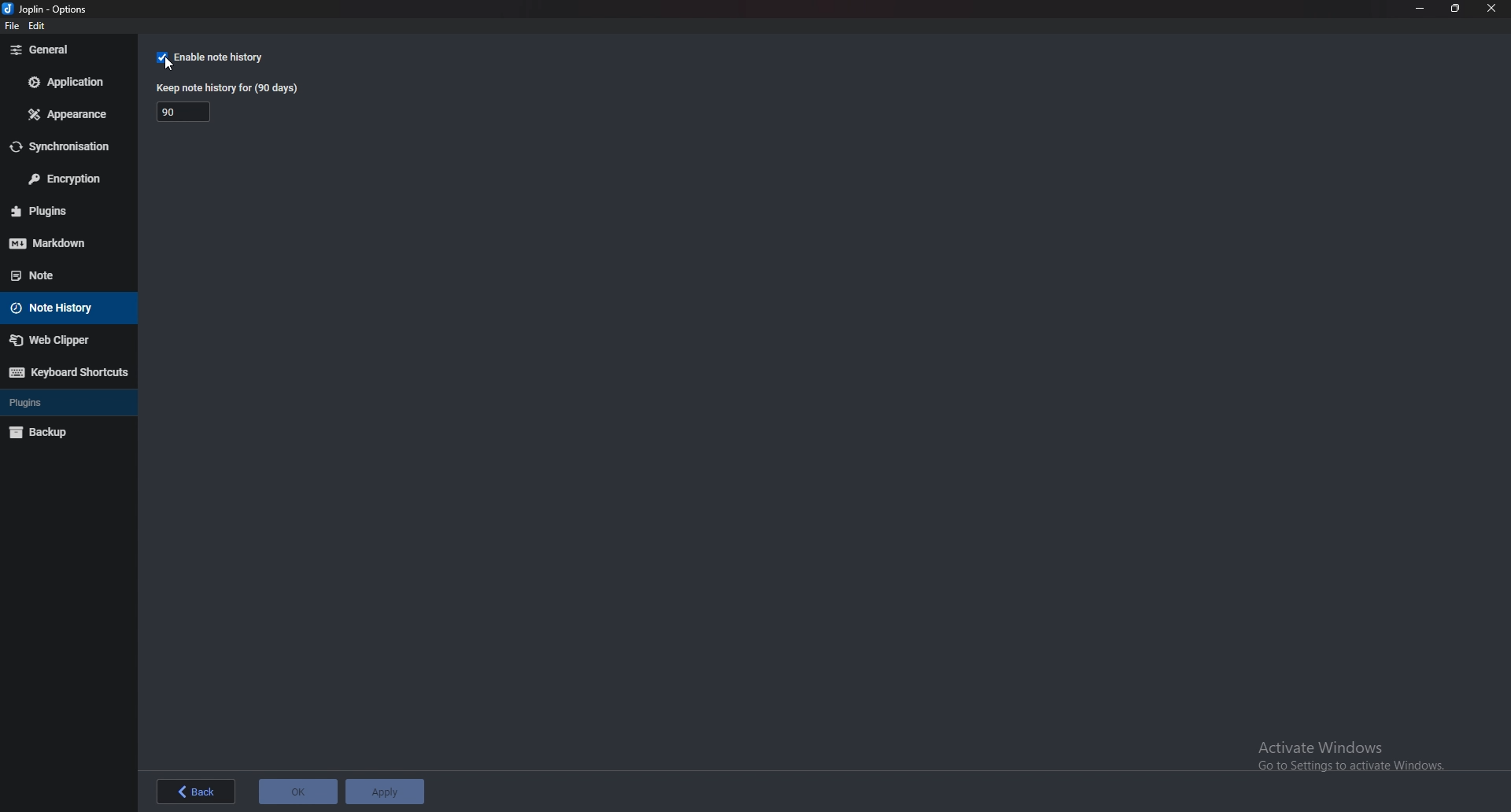  What do you see at coordinates (67, 341) in the screenshot?
I see `Web Clipper` at bounding box center [67, 341].